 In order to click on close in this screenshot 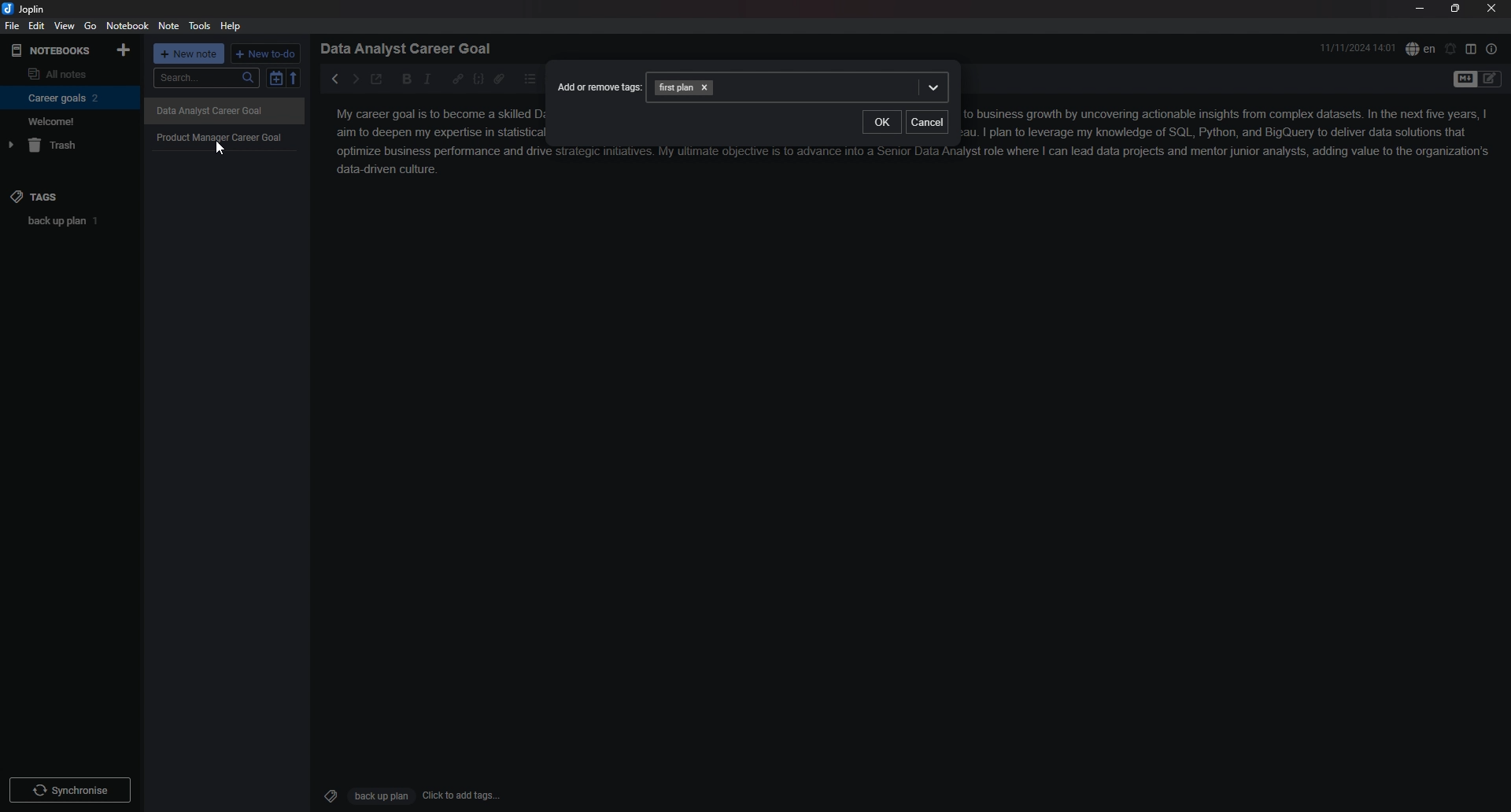, I will do `click(1491, 8)`.